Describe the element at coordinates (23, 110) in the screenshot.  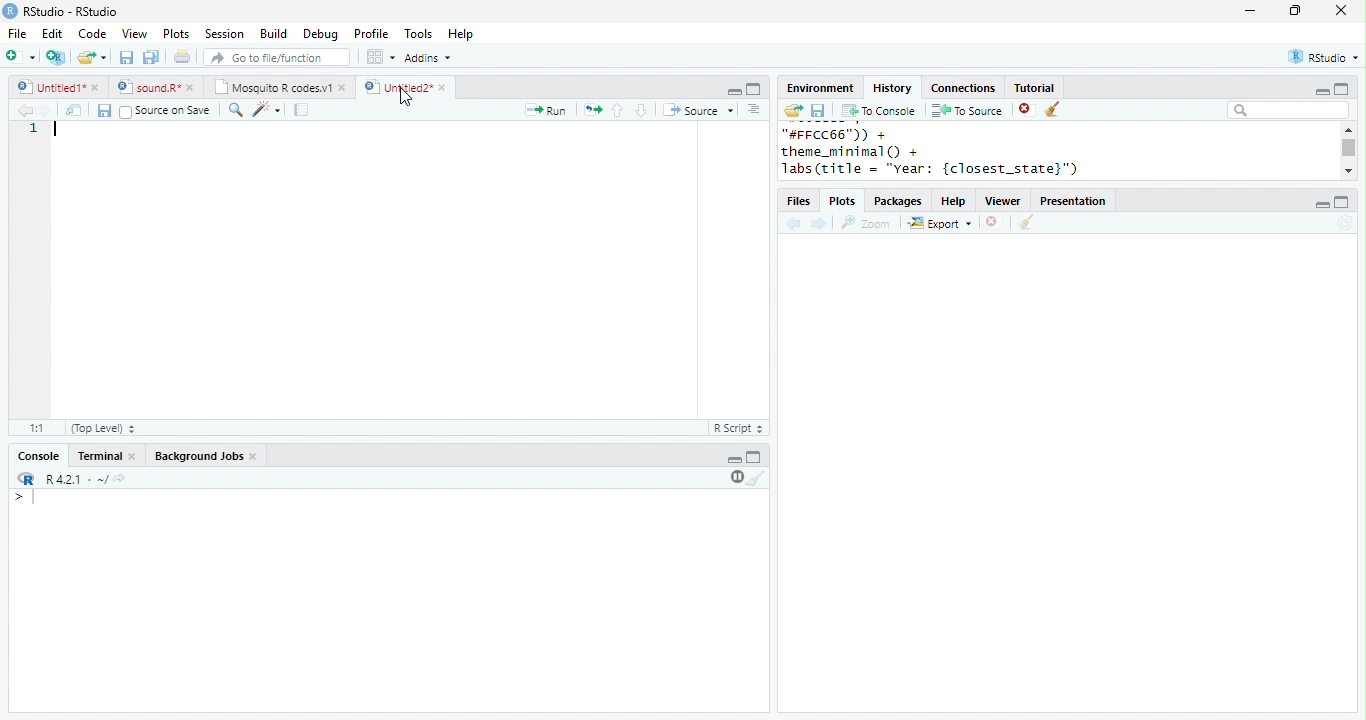
I see `back` at that location.